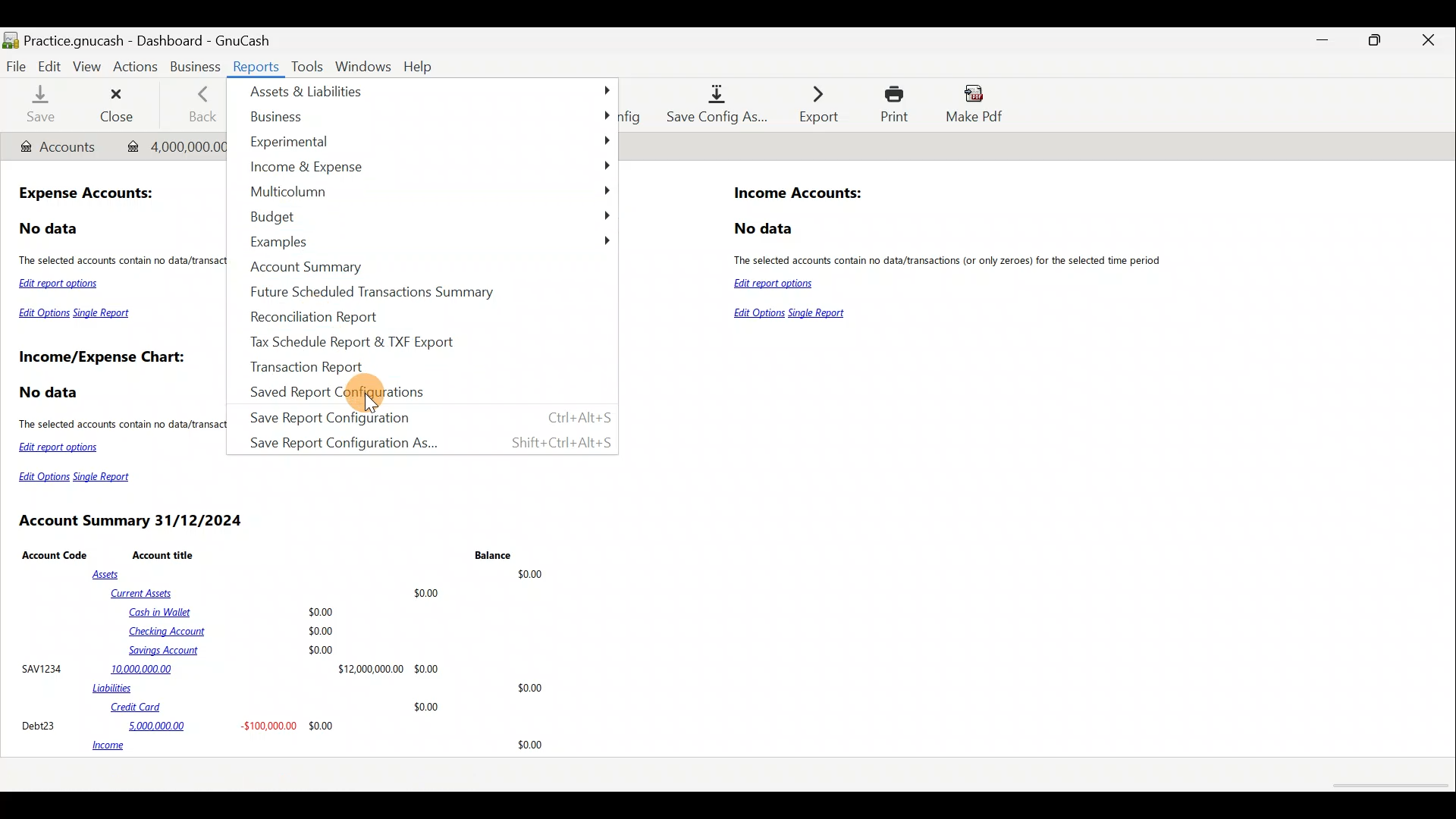 The height and width of the screenshot is (819, 1456). What do you see at coordinates (307, 66) in the screenshot?
I see `Tools` at bounding box center [307, 66].